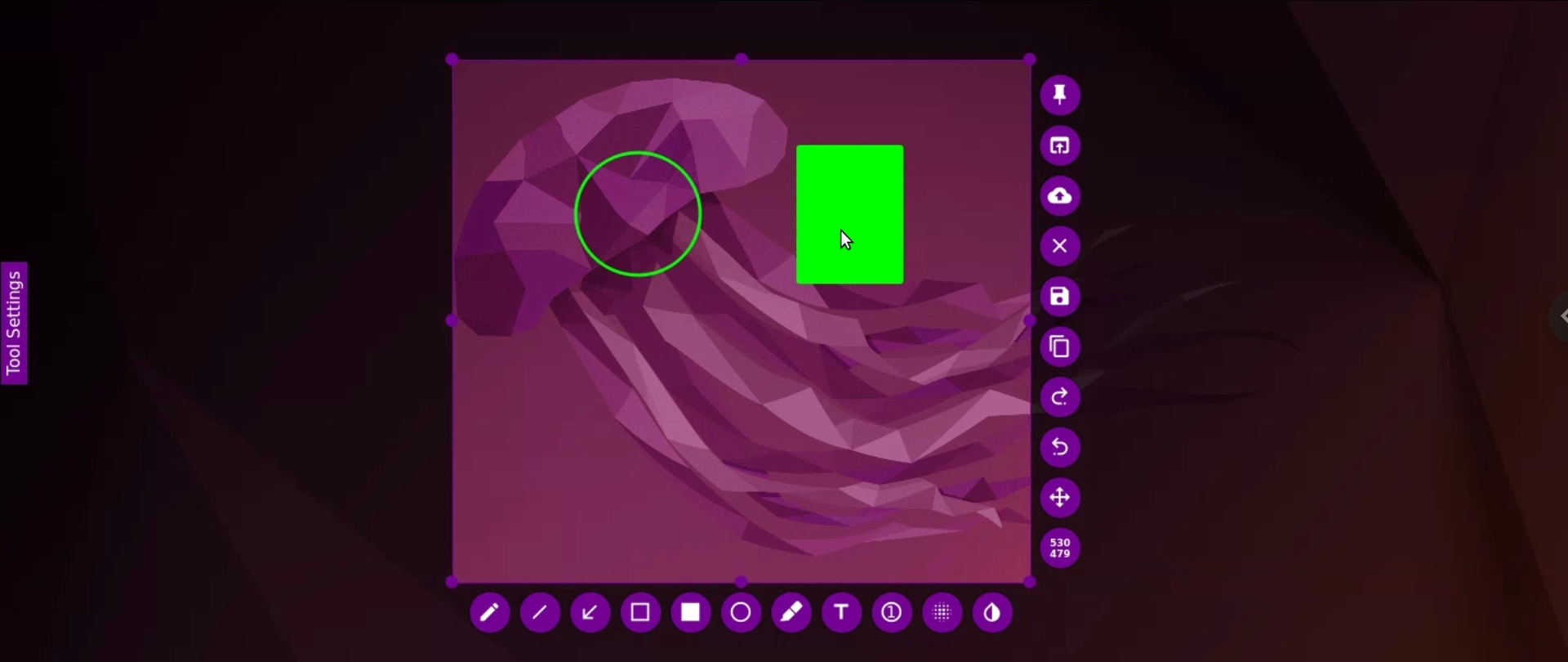  What do you see at coordinates (15, 320) in the screenshot?
I see `toolbar settings` at bounding box center [15, 320].